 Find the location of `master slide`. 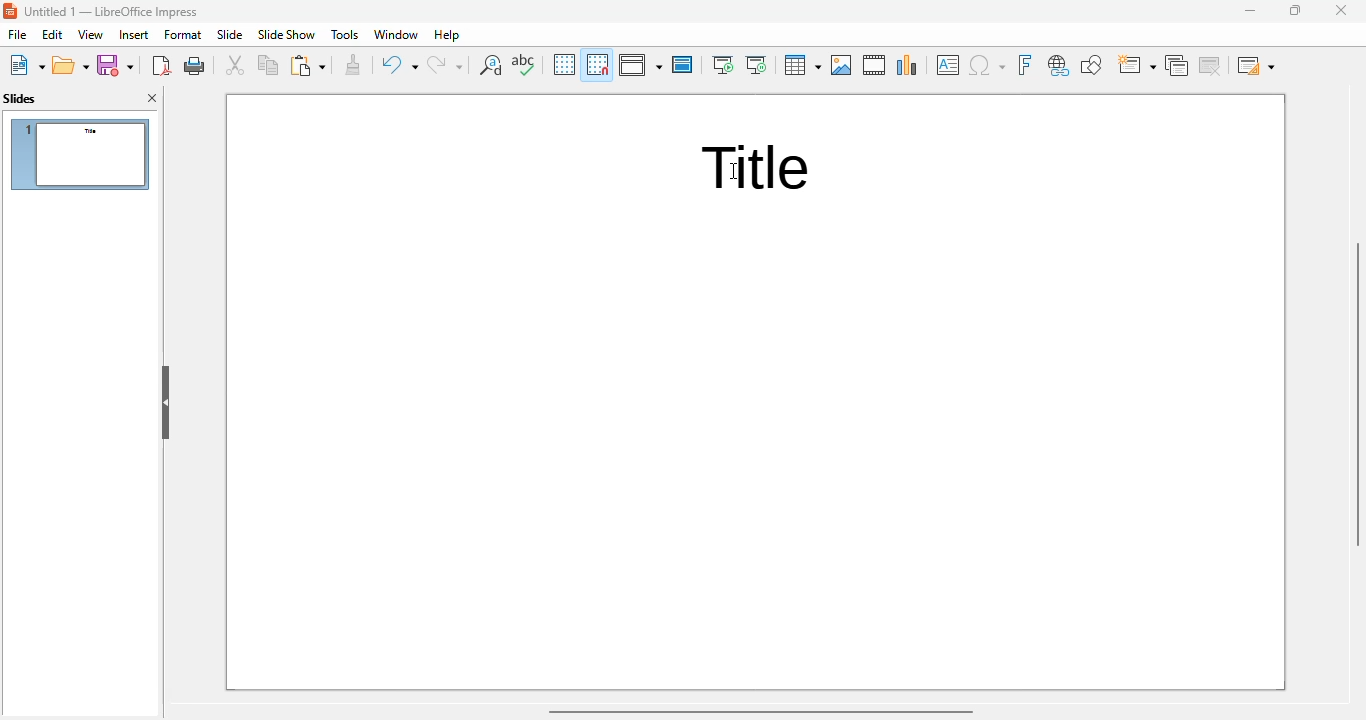

master slide is located at coordinates (682, 65).